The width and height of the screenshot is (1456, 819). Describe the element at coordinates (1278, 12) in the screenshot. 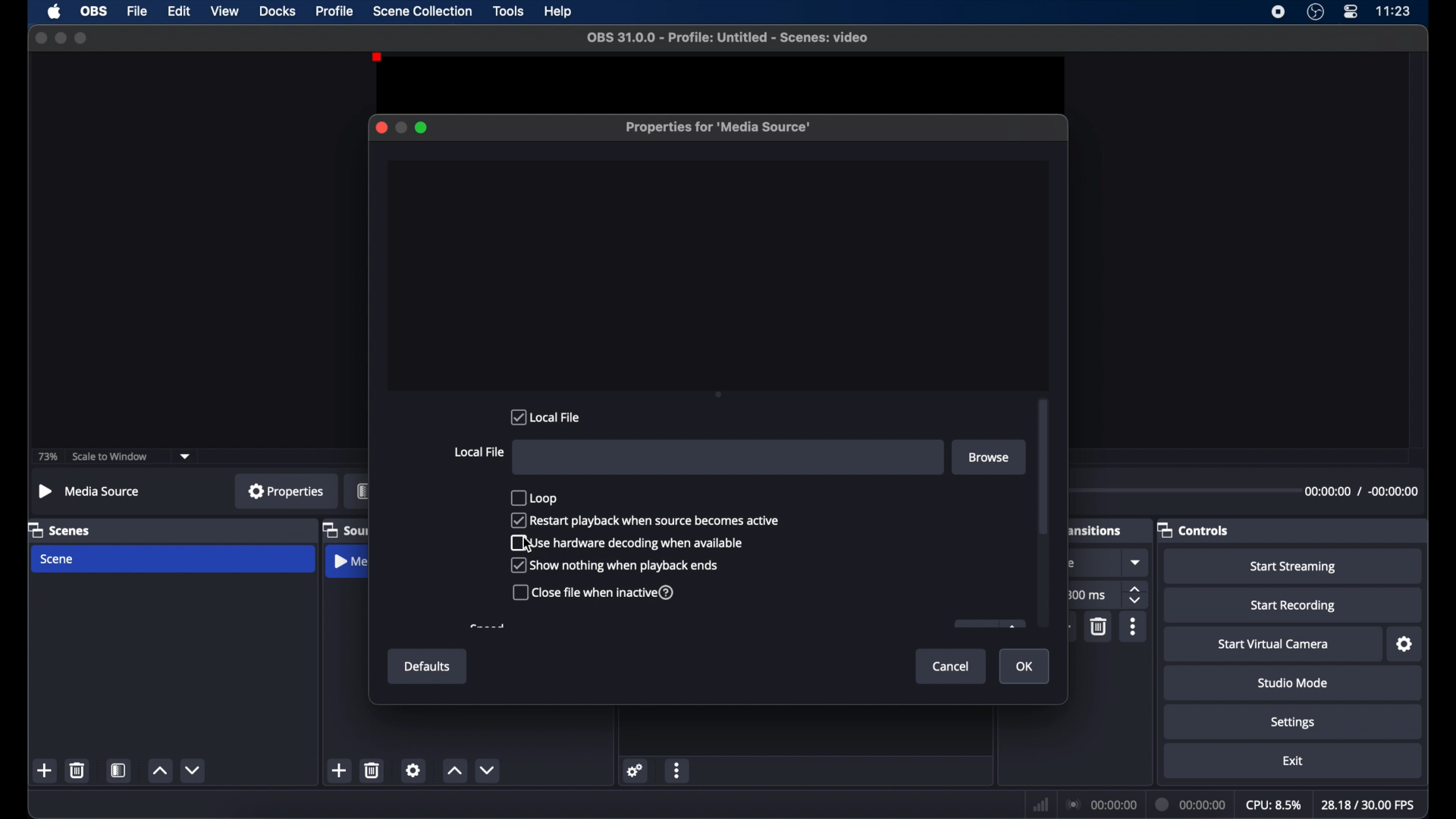

I see `screen recorder icon` at that location.